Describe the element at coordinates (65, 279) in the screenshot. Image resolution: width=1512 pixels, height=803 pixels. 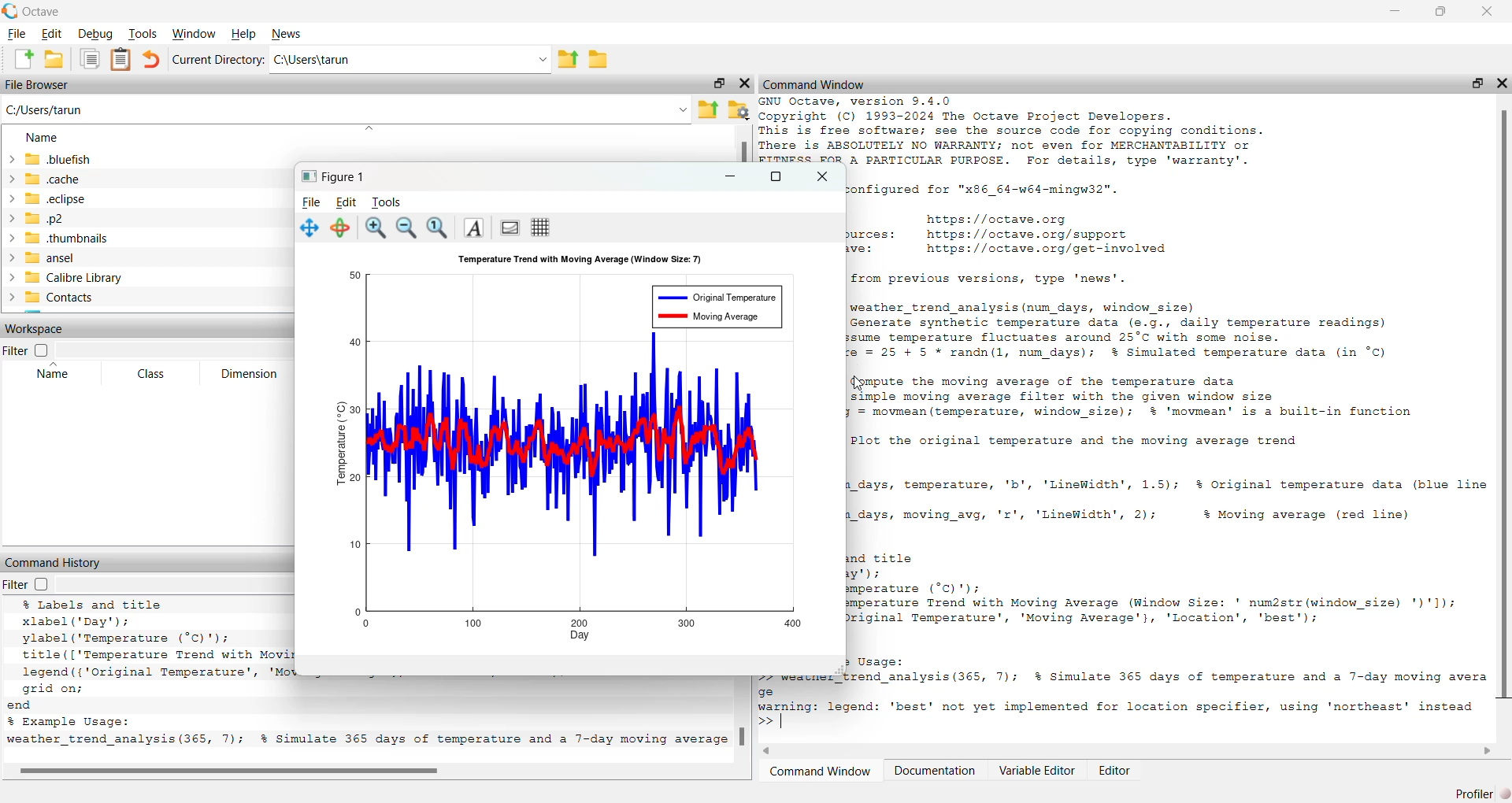
I see `Calibrel Library` at that location.